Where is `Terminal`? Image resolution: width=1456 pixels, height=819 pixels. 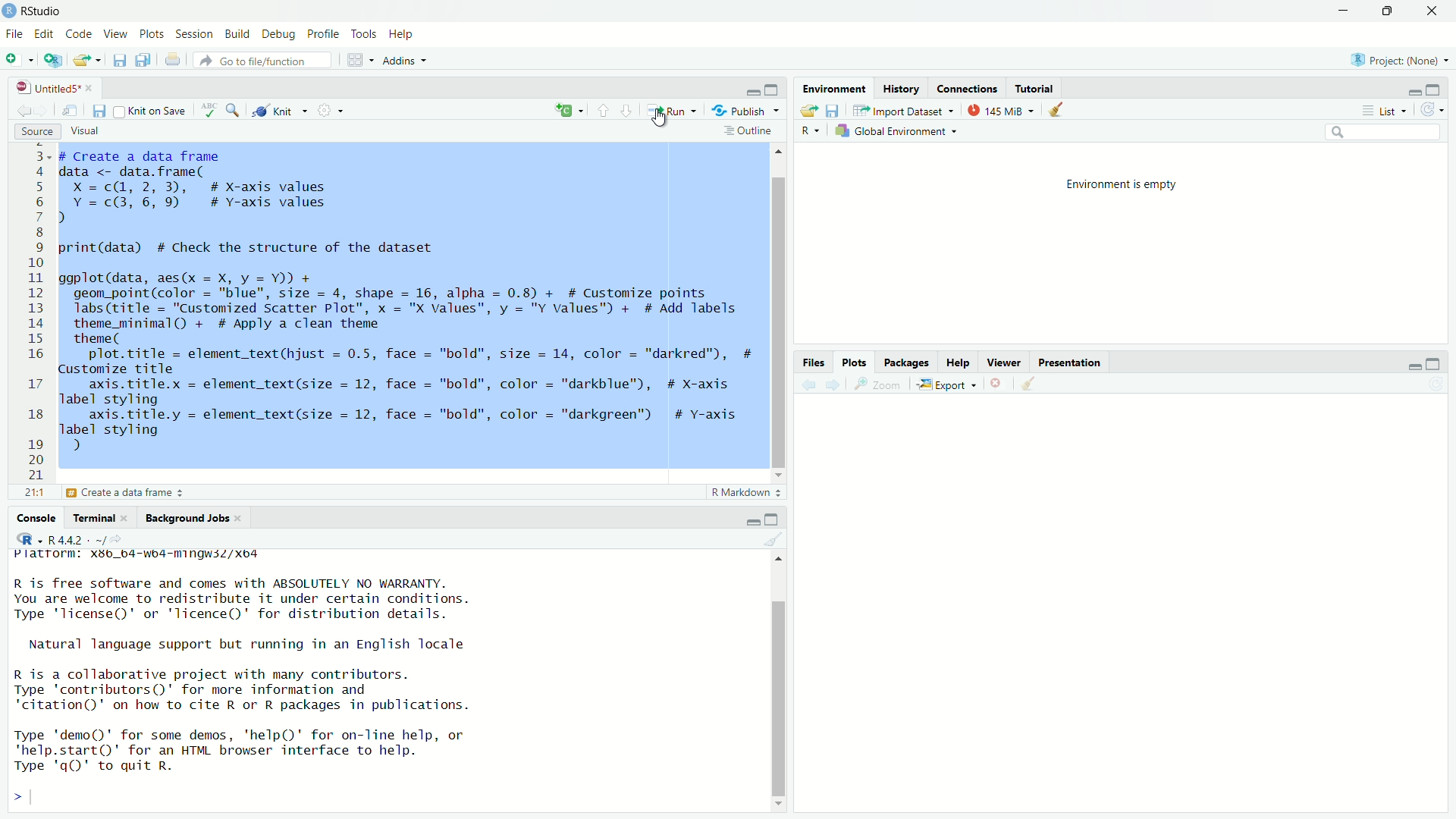 Terminal is located at coordinates (100, 518).